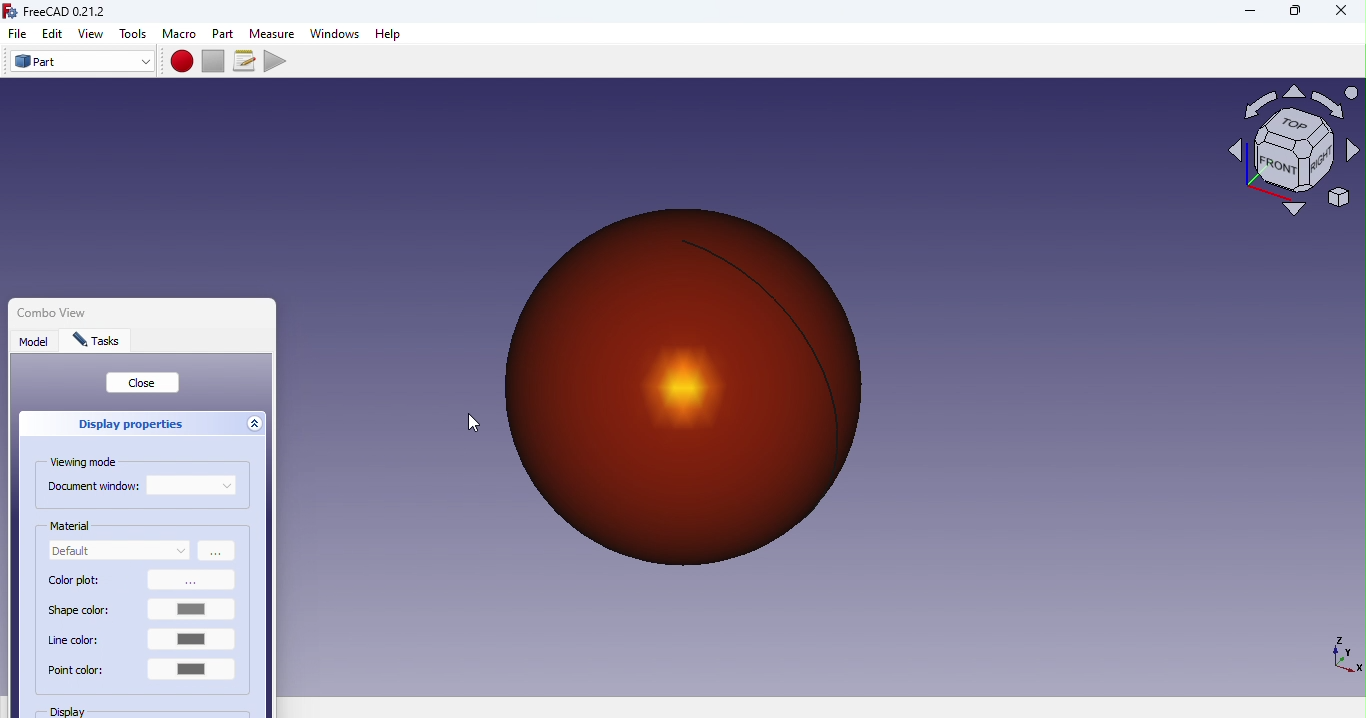 The height and width of the screenshot is (718, 1366). Describe the element at coordinates (1342, 653) in the screenshot. I see `Dimensions` at that location.